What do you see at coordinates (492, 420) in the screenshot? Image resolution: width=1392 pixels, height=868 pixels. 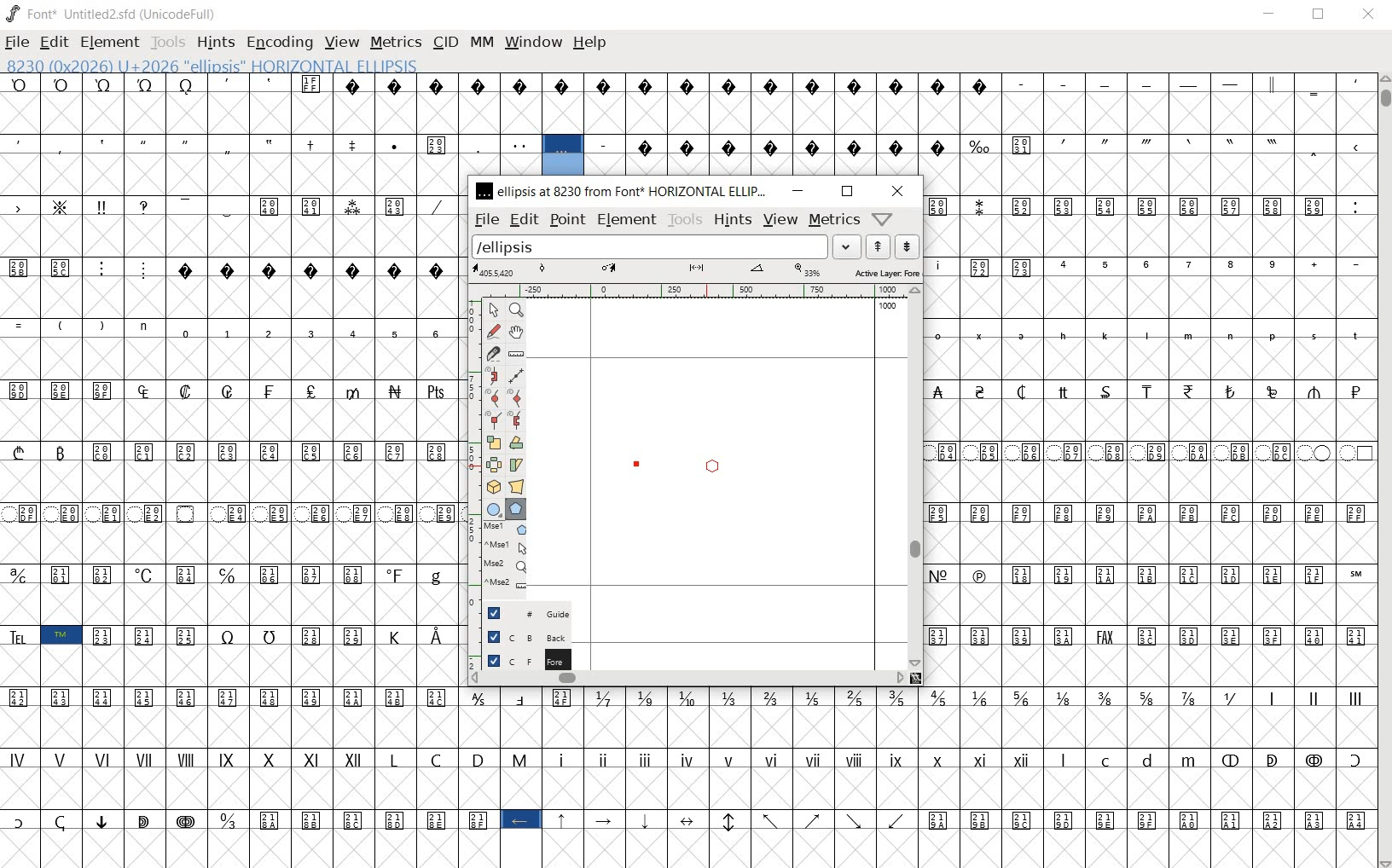 I see `Add a corner point` at bounding box center [492, 420].